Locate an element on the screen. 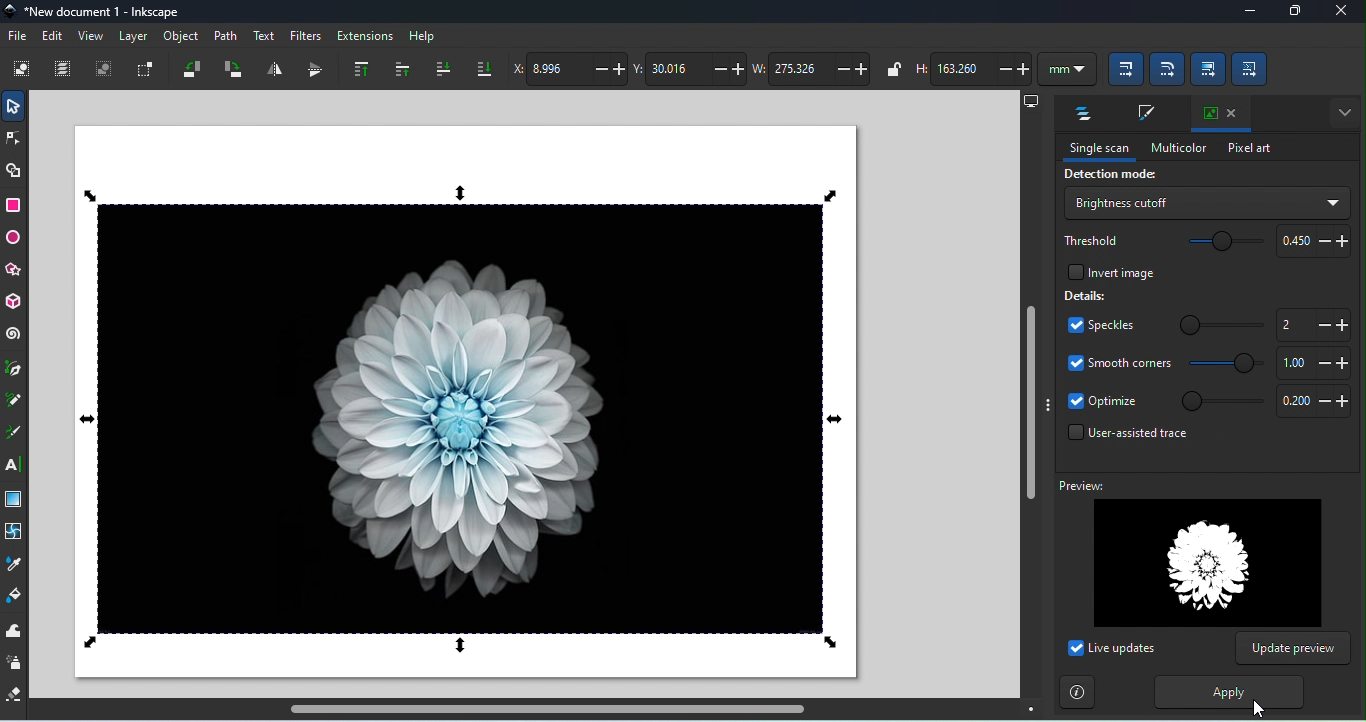 The image size is (1366, 722). Apply is located at coordinates (1227, 692).